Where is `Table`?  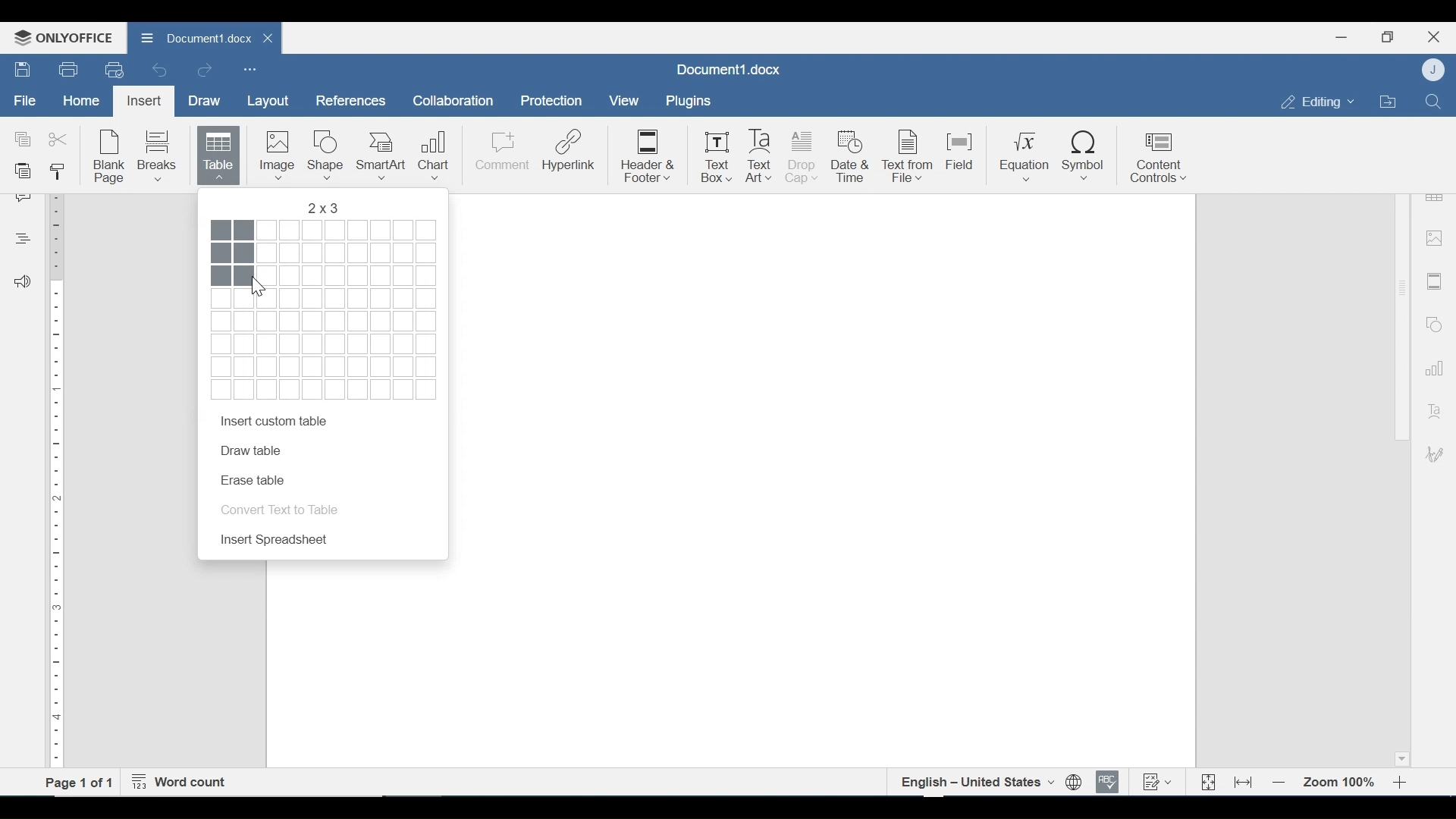 Table is located at coordinates (221, 155).